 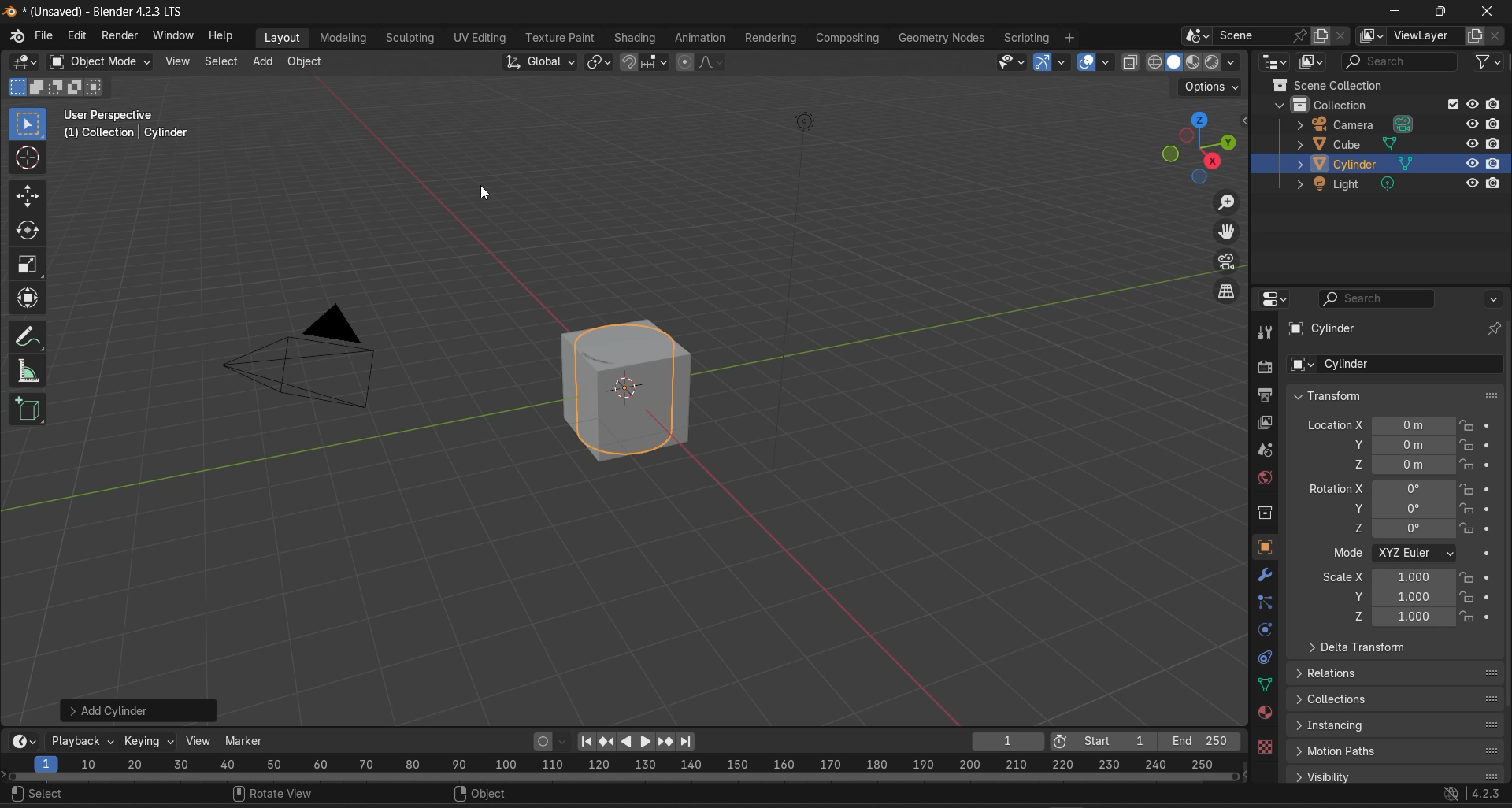 What do you see at coordinates (1266, 547) in the screenshot?
I see `object` at bounding box center [1266, 547].